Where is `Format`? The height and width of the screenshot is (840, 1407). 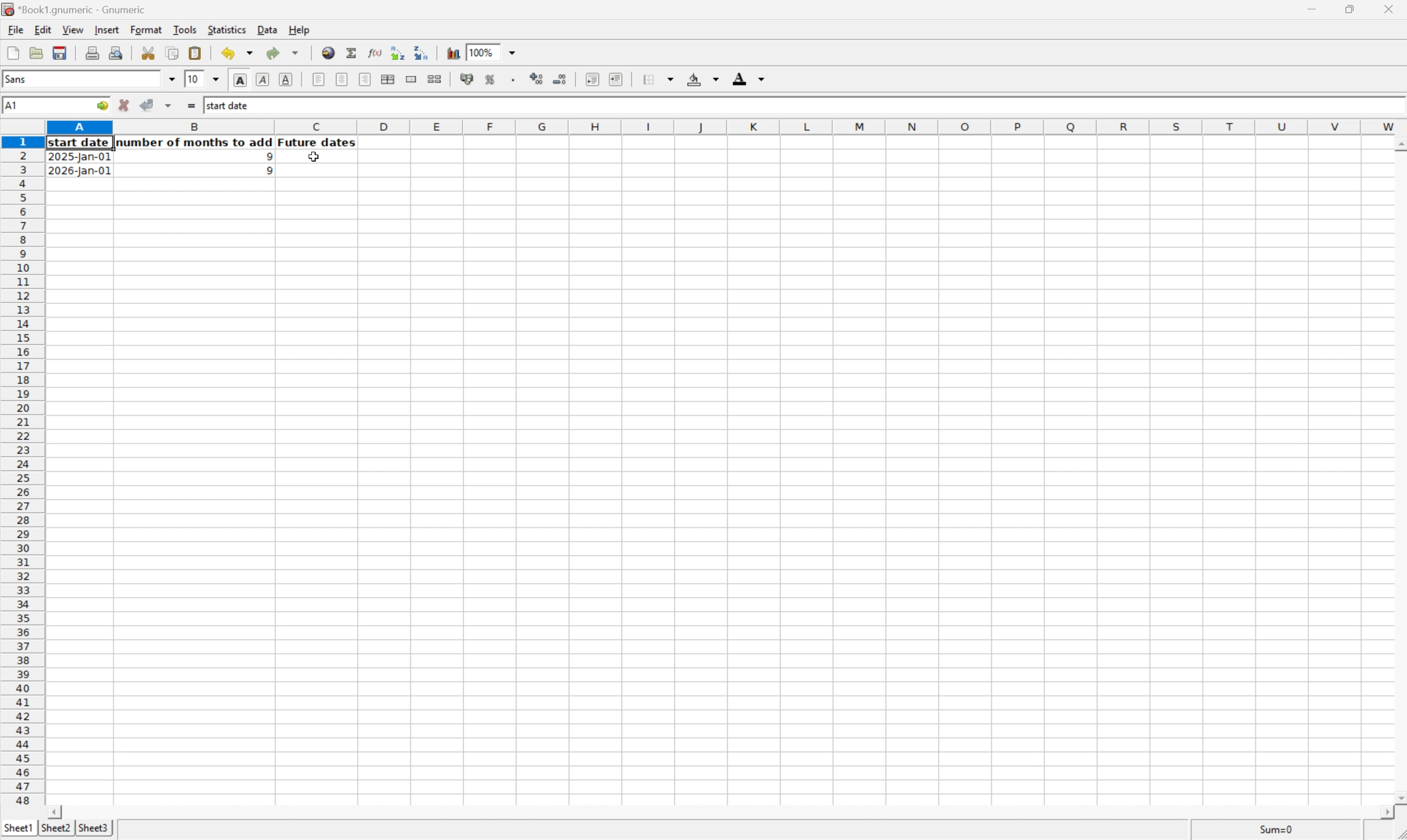
Format is located at coordinates (147, 30).